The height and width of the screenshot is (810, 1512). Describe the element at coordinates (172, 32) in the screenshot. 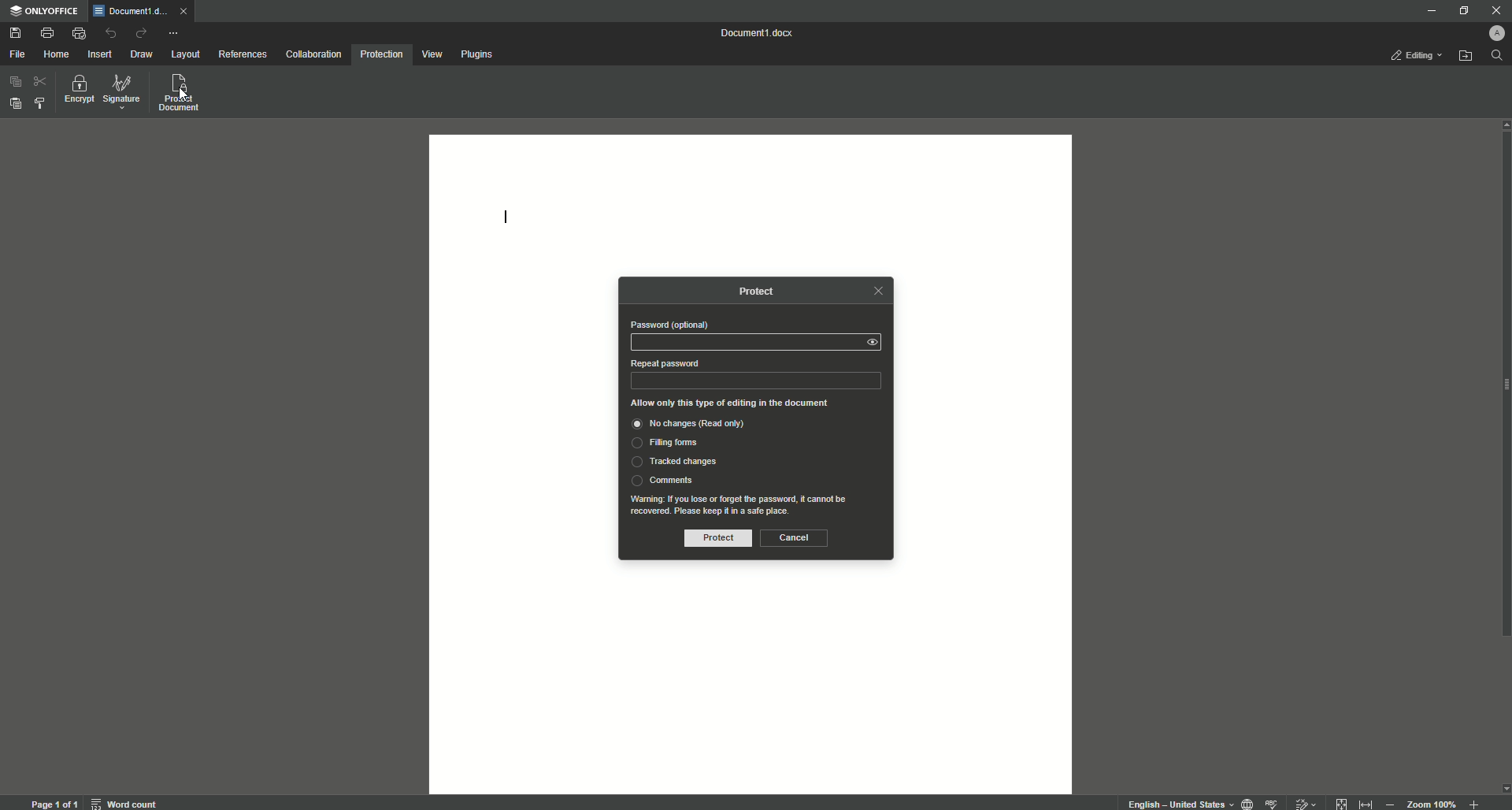

I see `More Actions` at that location.